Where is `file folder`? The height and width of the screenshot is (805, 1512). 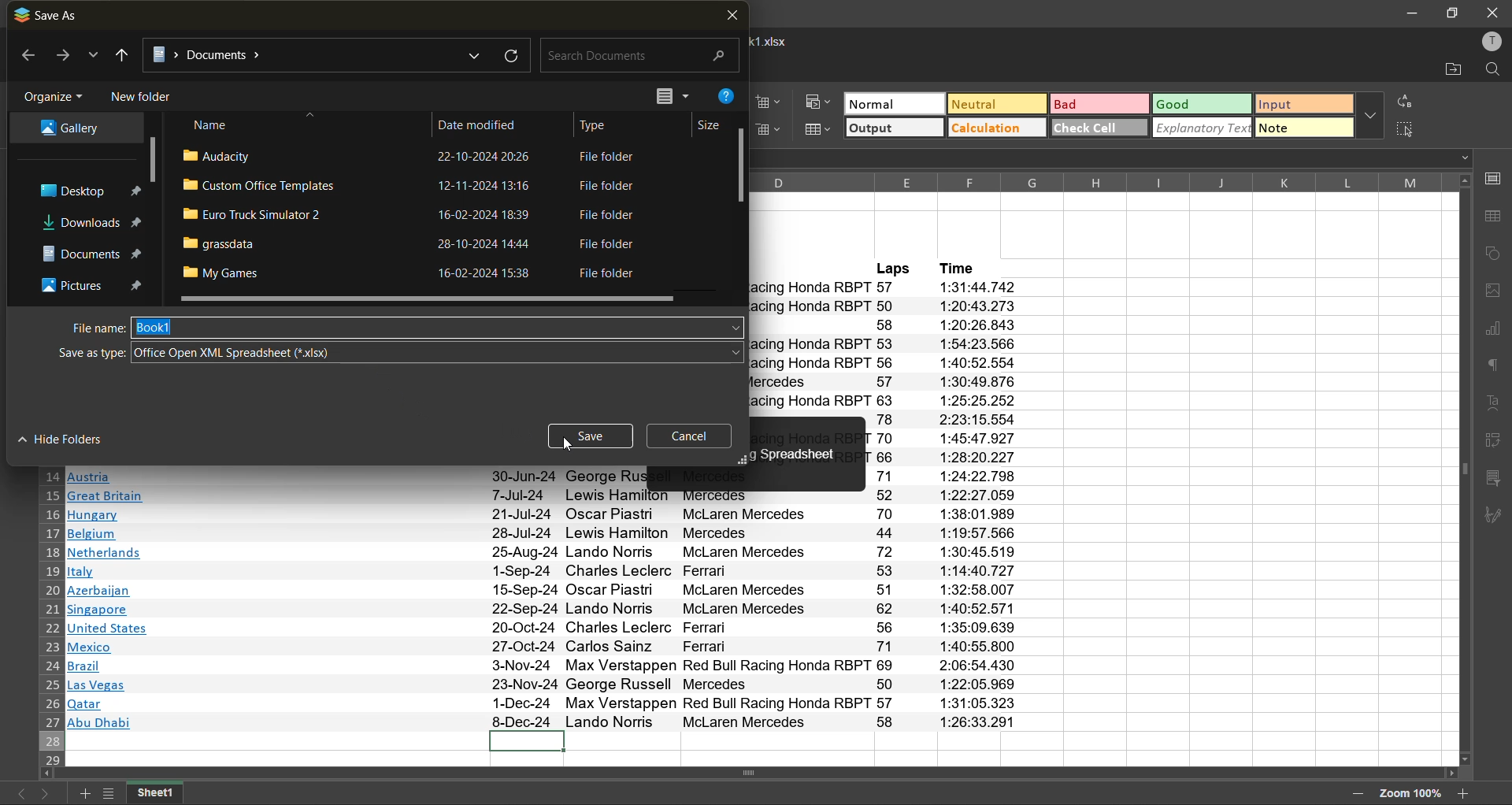
file folder is located at coordinates (618, 245).